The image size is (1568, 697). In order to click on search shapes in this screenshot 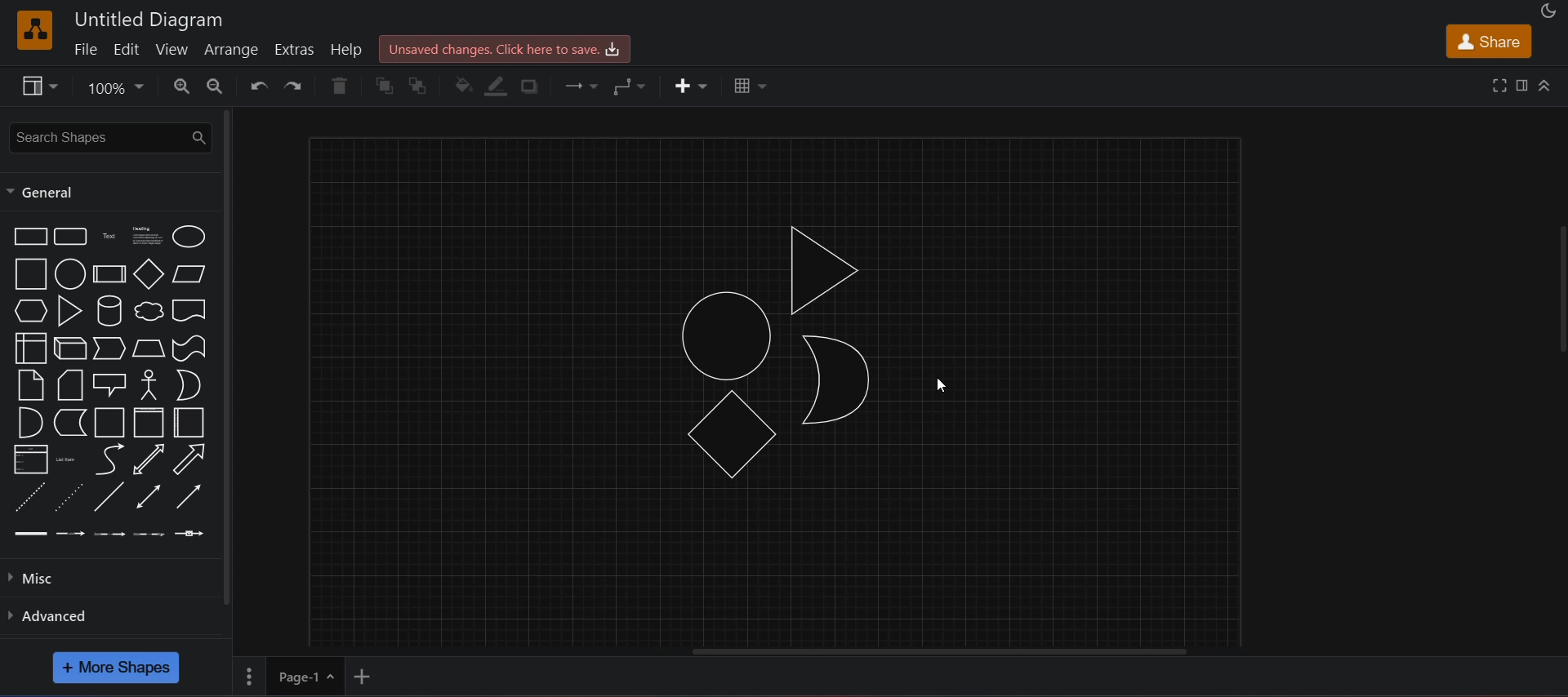, I will do `click(109, 136)`.